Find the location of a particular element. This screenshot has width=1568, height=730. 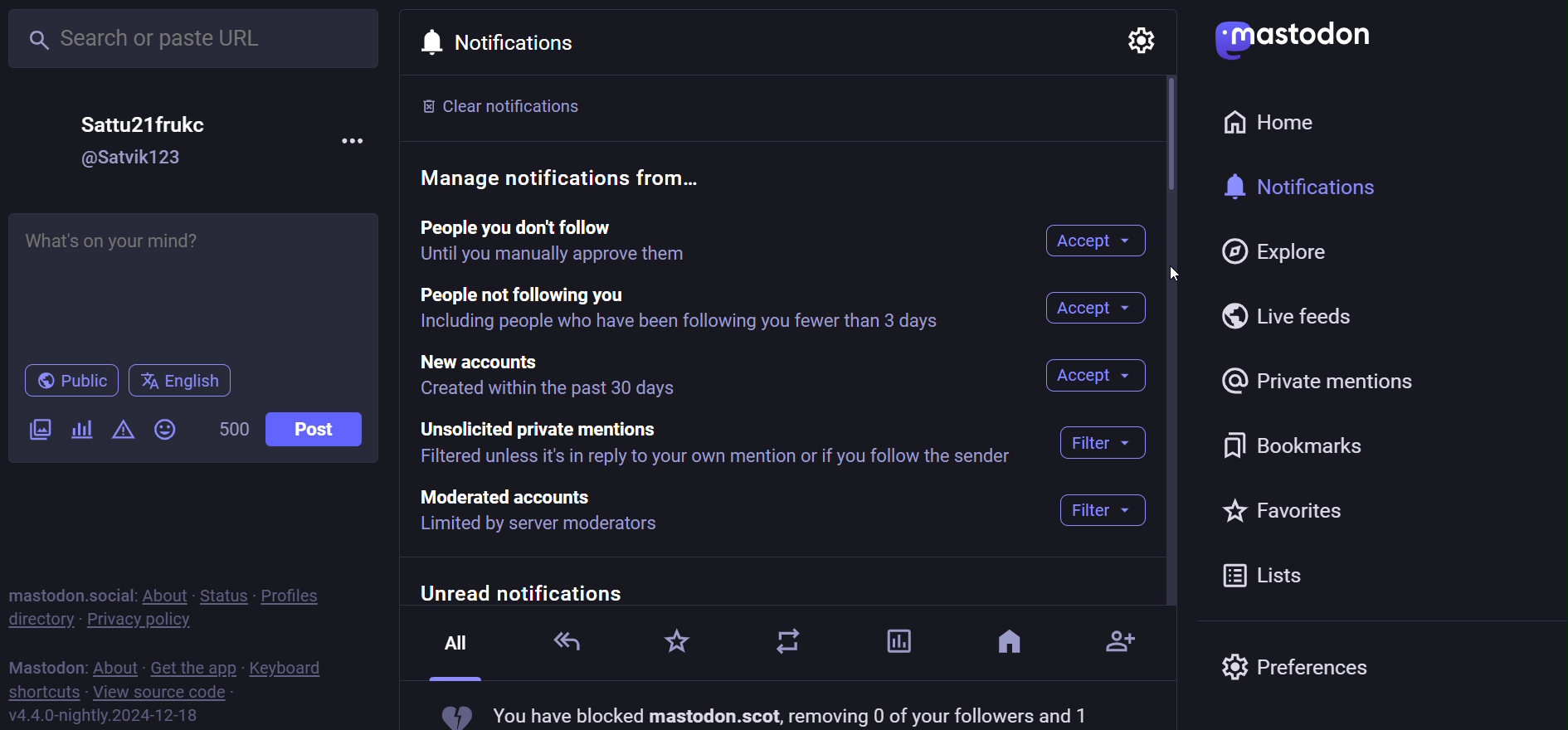

live feed is located at coordinates (1294, 315).